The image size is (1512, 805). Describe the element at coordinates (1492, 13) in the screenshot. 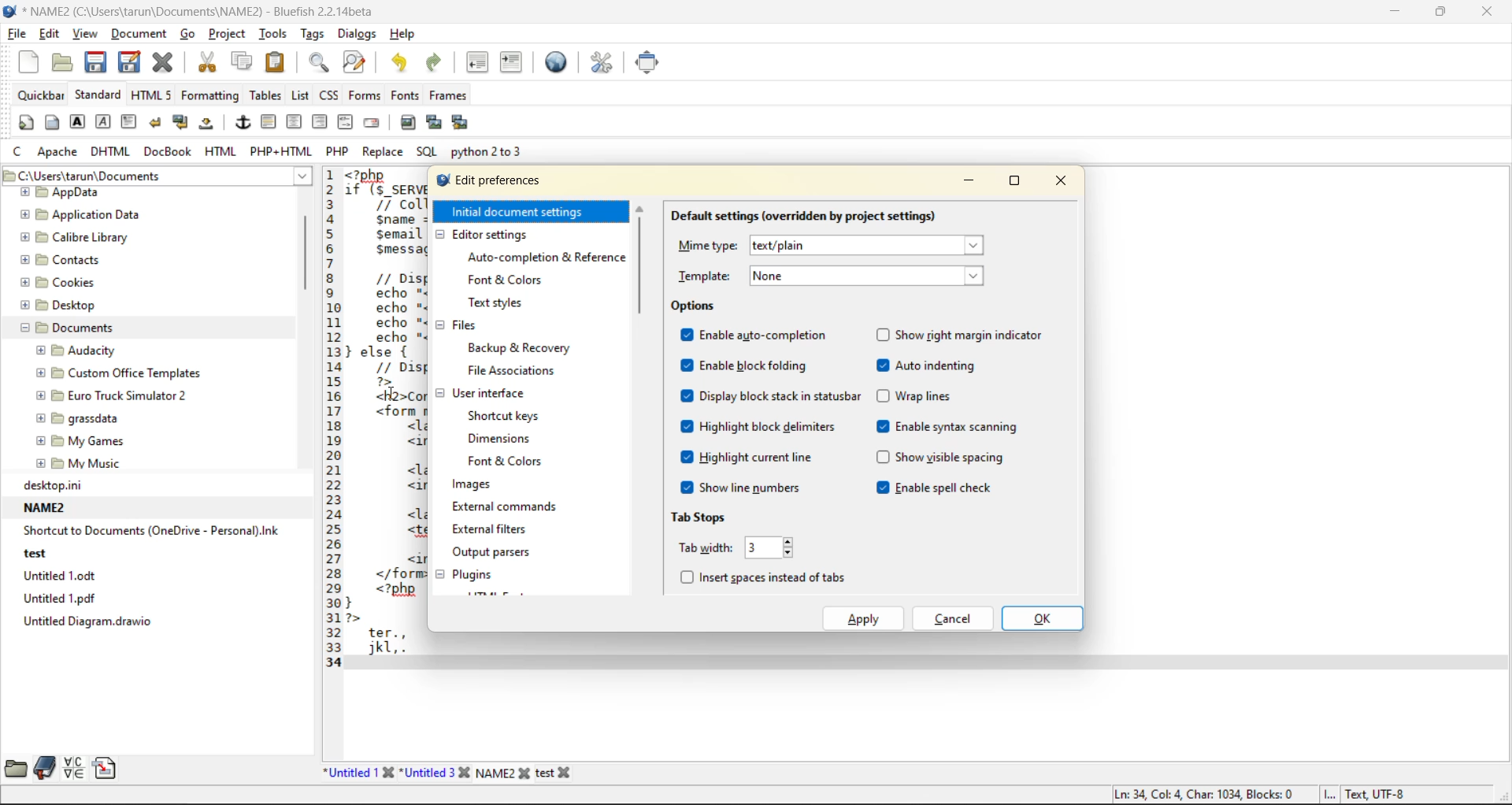

I see `close` at that location.